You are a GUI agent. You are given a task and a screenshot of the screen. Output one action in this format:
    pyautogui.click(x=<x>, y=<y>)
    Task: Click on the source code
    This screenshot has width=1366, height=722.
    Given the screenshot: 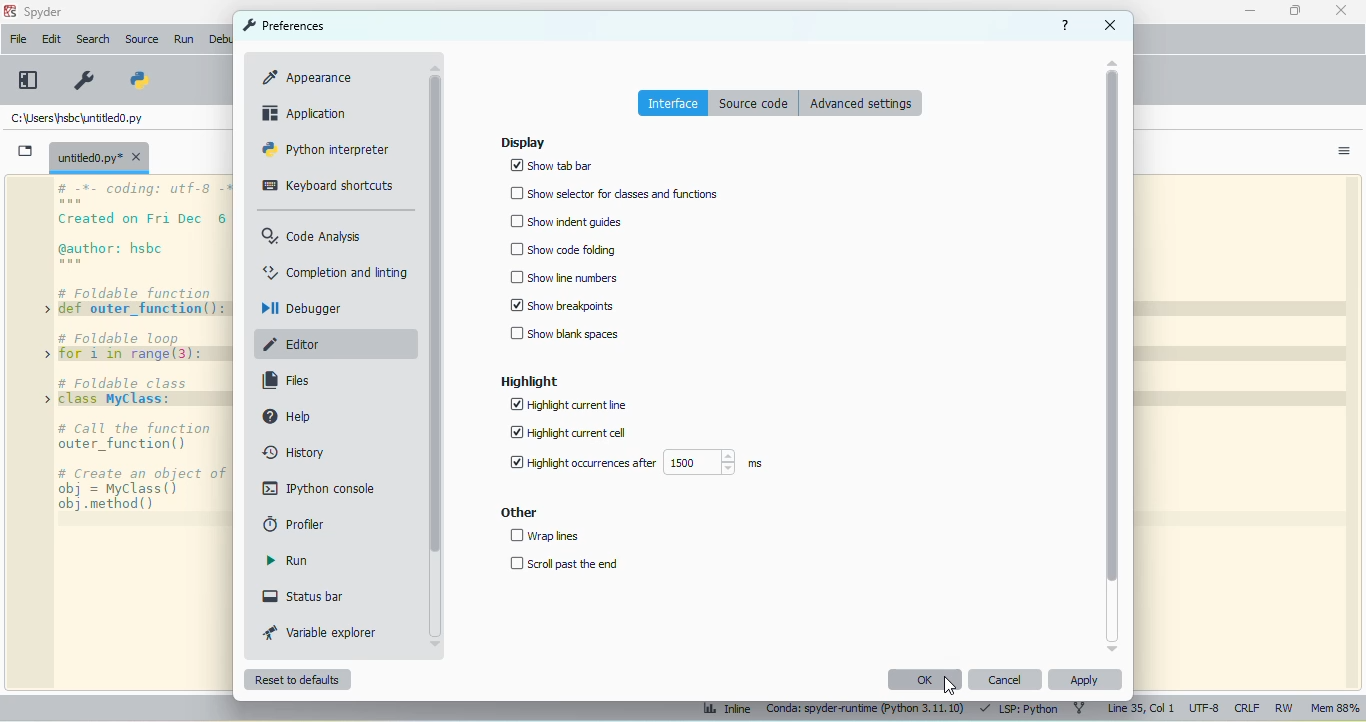 What is the action you would take?
    pyautogui.click(x=754, y=103)
    